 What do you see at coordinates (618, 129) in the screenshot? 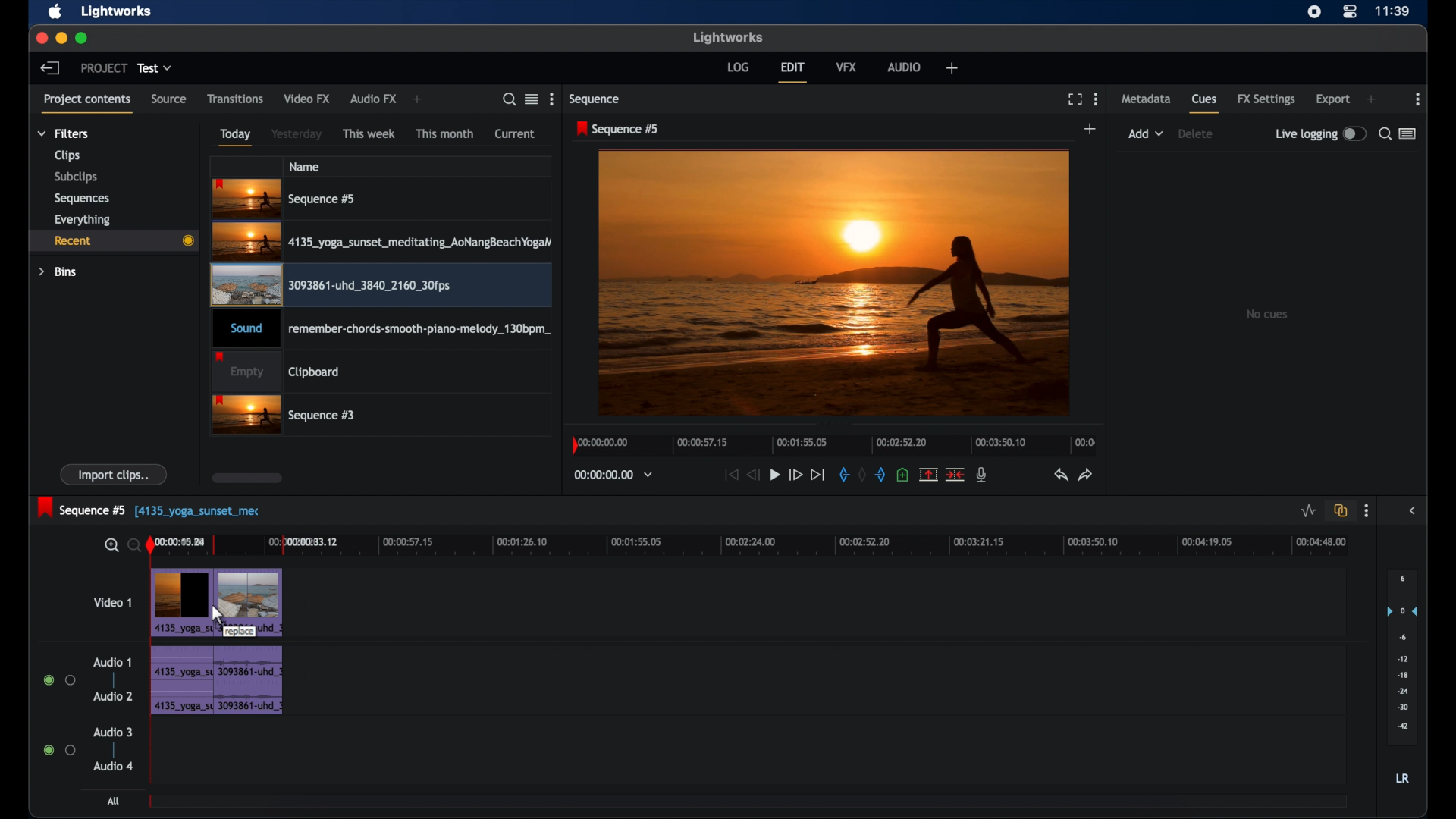
I see `sequence 5` at bounding box center [618, 129].